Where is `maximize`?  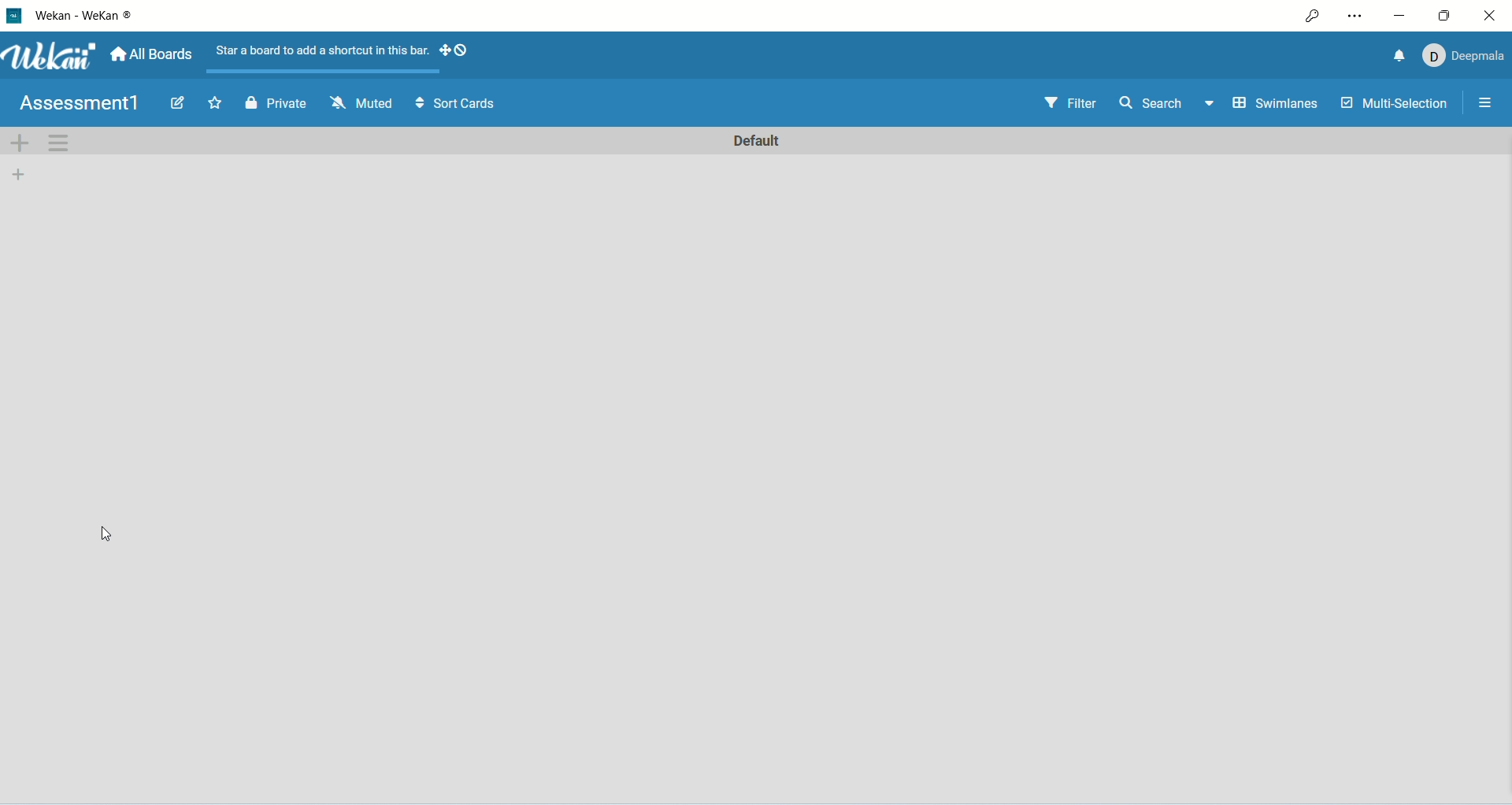 maximize is located at coordinates (1444, 18).